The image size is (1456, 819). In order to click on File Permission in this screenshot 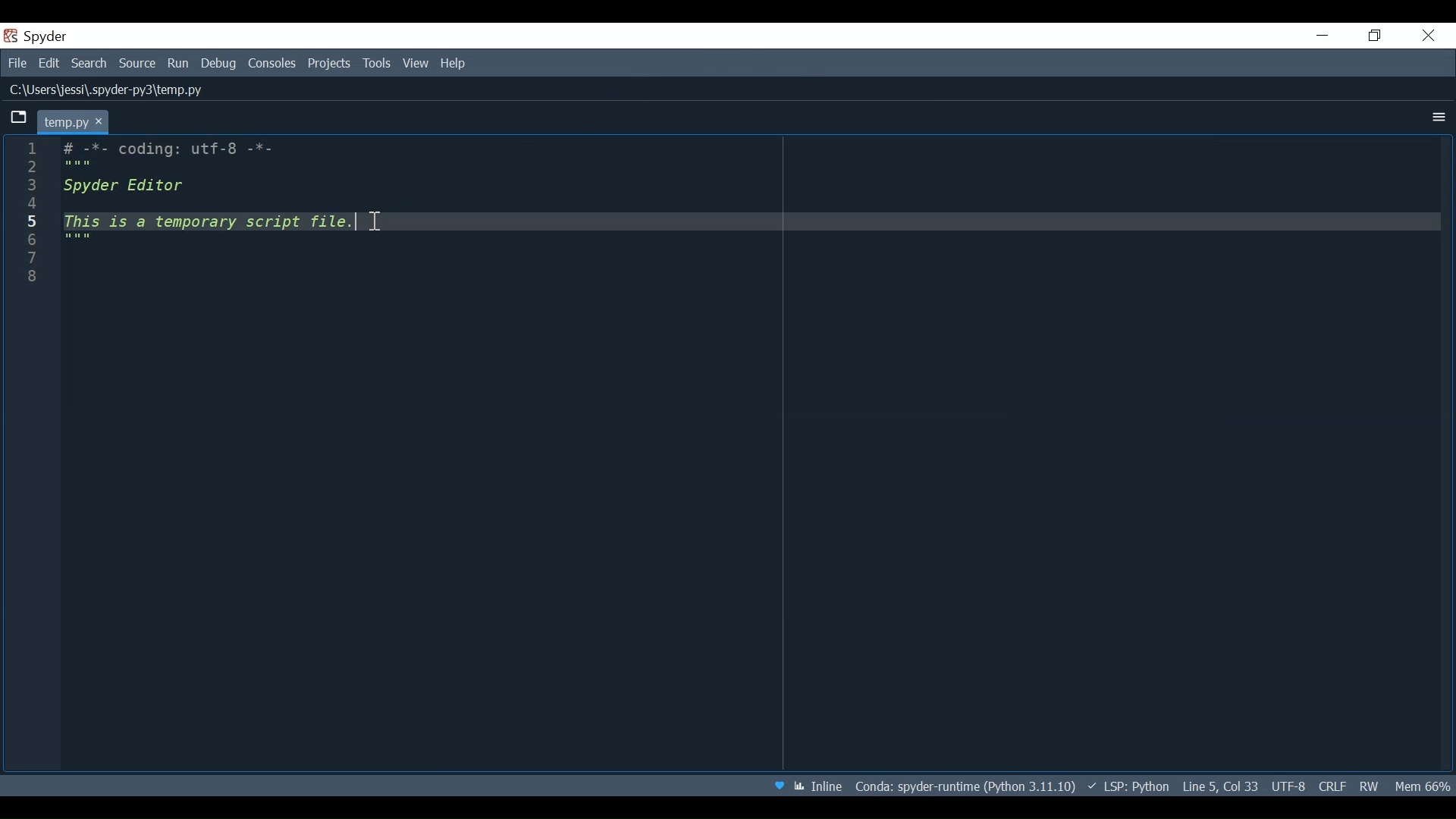, I will do `click(1367, 786)`.